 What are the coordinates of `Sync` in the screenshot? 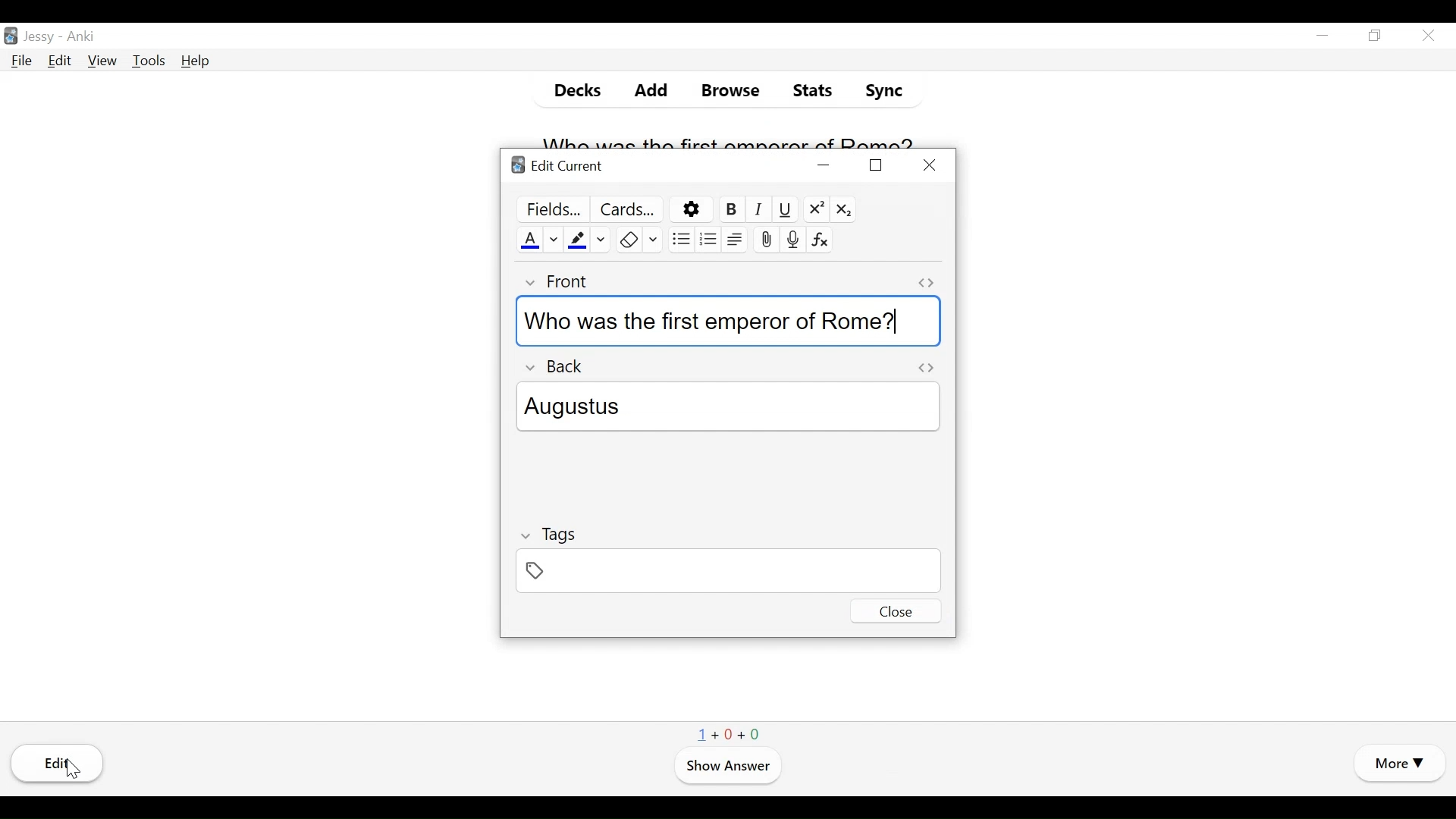 It's located at (880, 90).